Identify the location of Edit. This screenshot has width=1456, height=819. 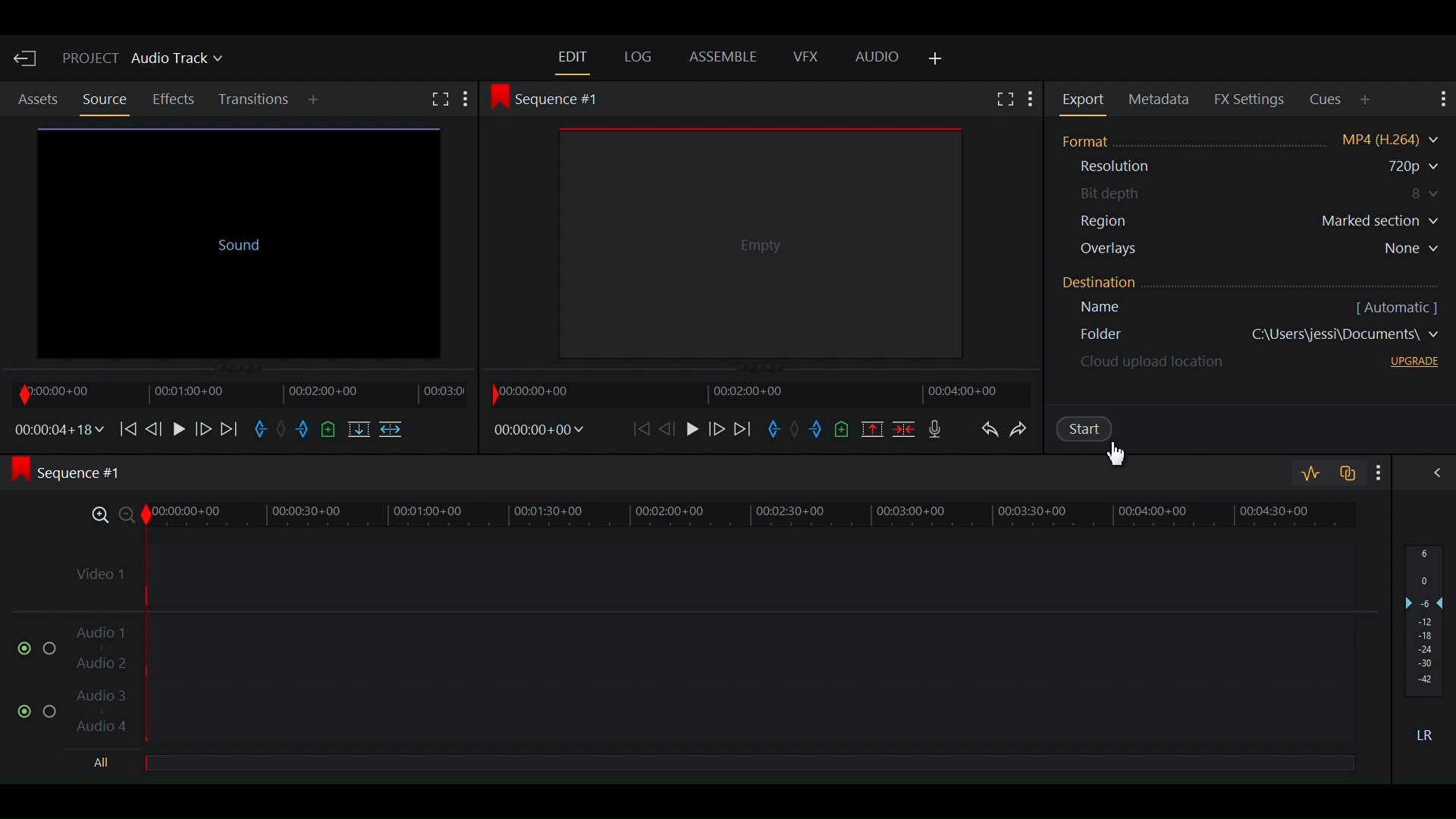
(573, 56).